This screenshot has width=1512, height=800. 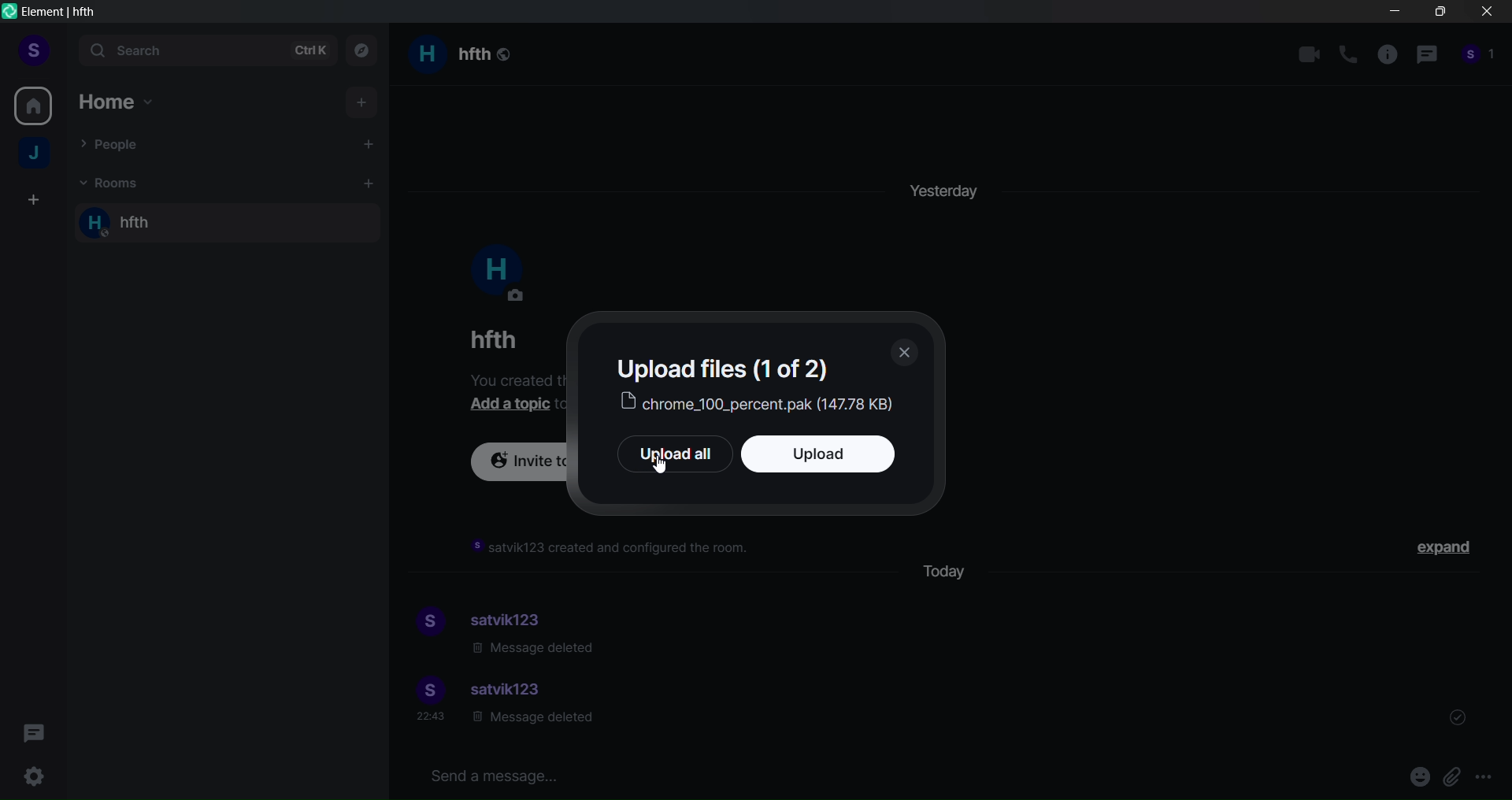 I want to click on threads, so click(x=36, y=728).